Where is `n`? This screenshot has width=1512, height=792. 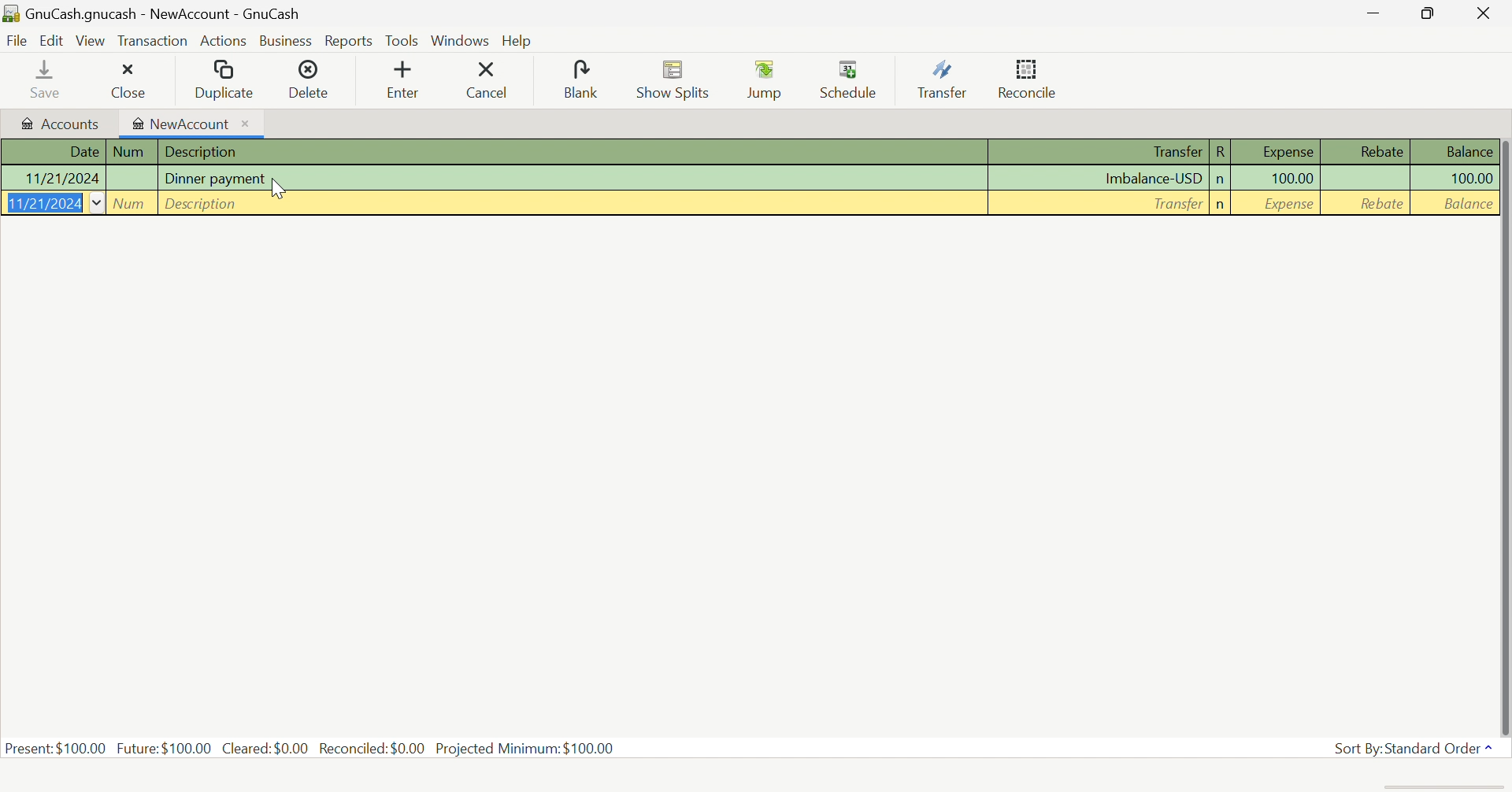
n is located at coordinates (1220, 179).